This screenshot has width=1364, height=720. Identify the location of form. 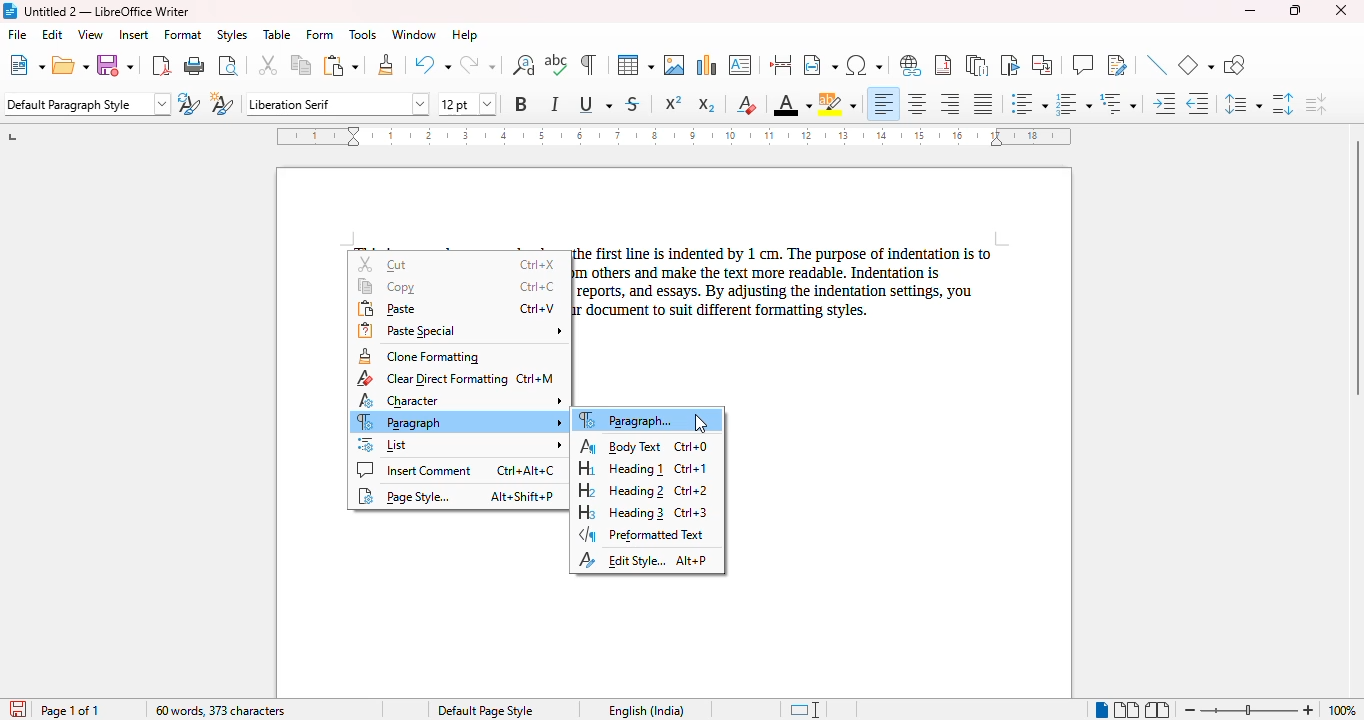
(320, 35).